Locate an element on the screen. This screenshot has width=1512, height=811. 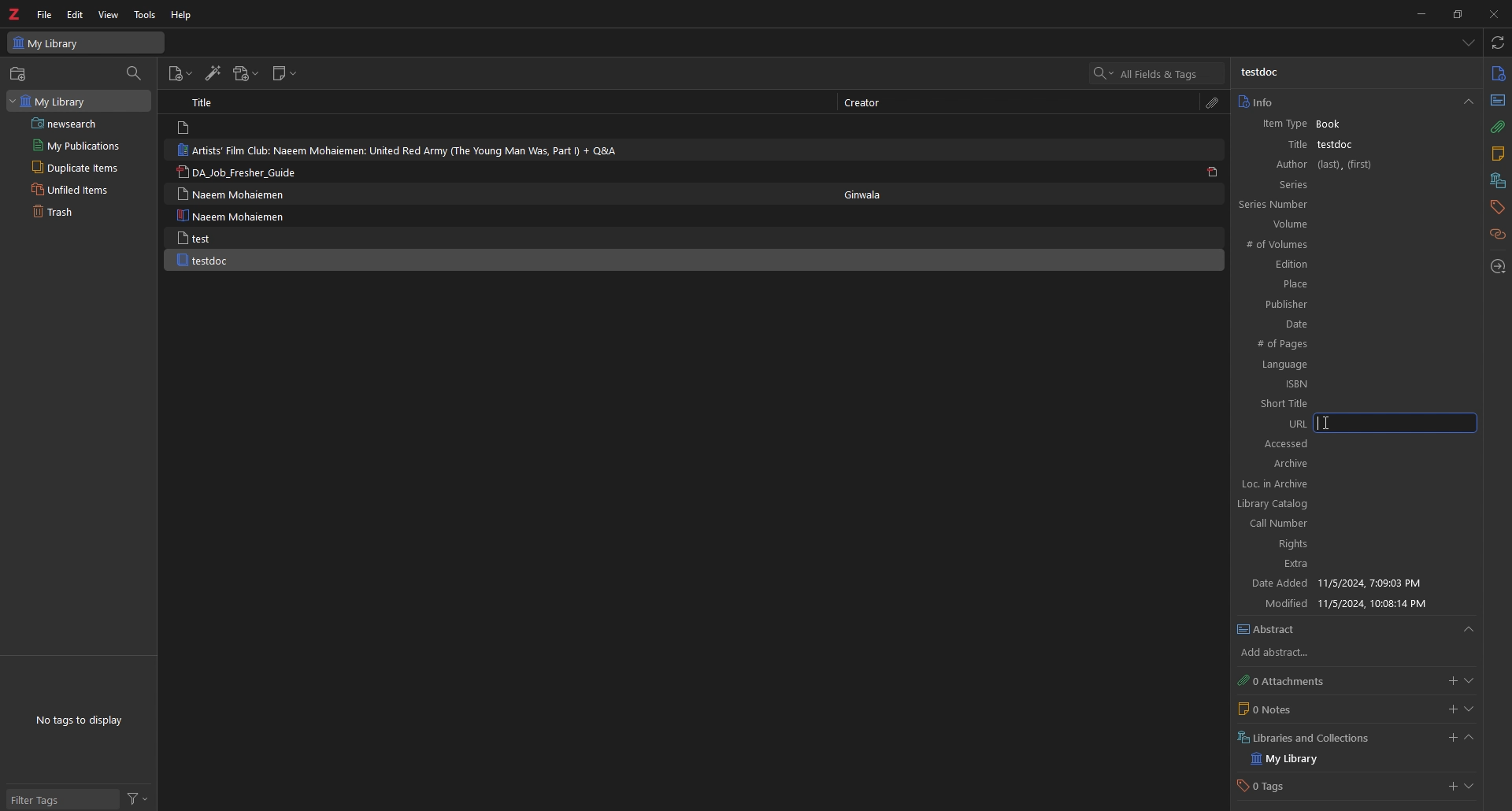
attachment is located at coordinates (1213, 104).